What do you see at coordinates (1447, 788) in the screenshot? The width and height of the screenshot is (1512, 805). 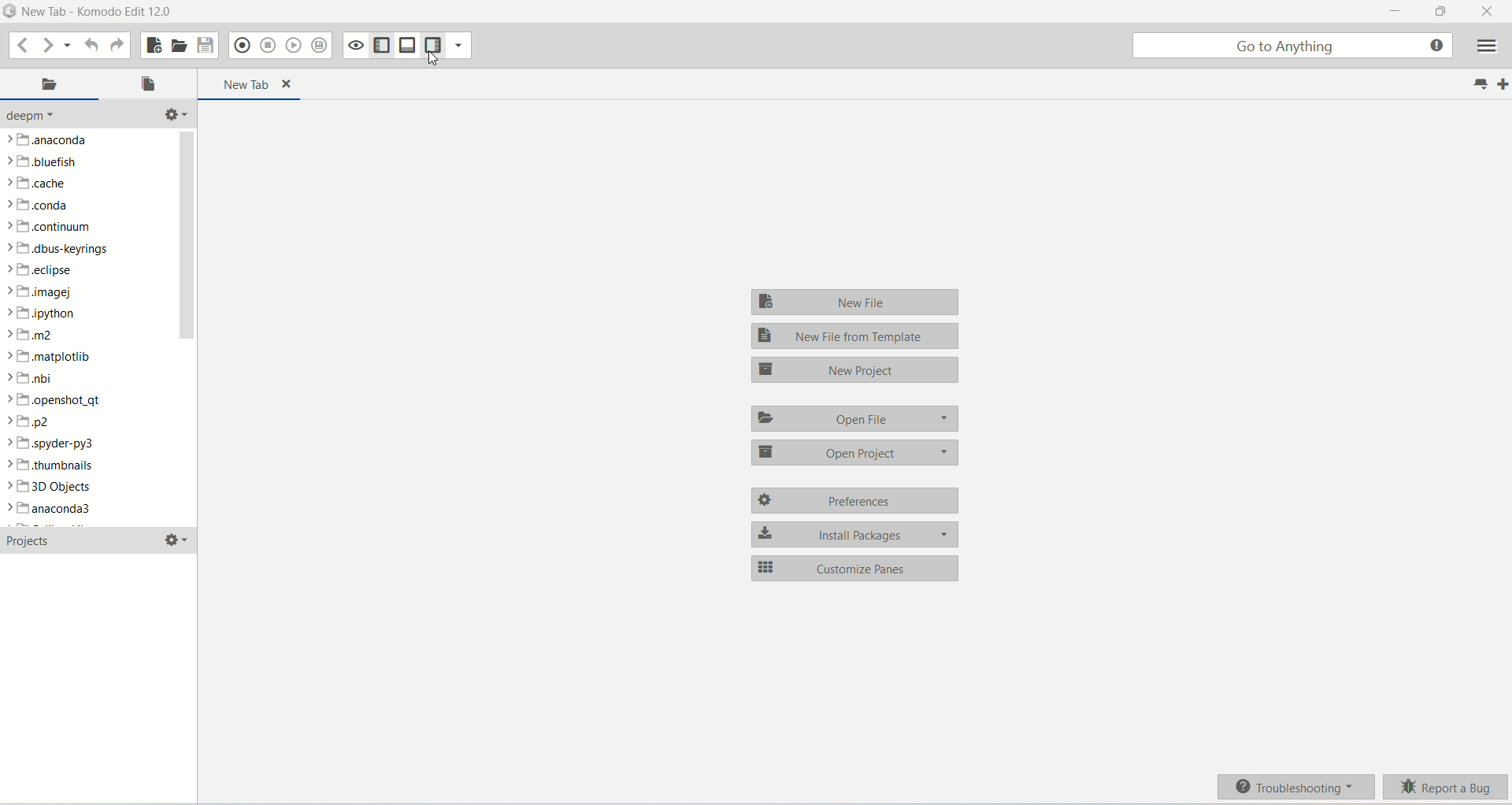 I see `report a bug` at bounding box center [1447, 788].